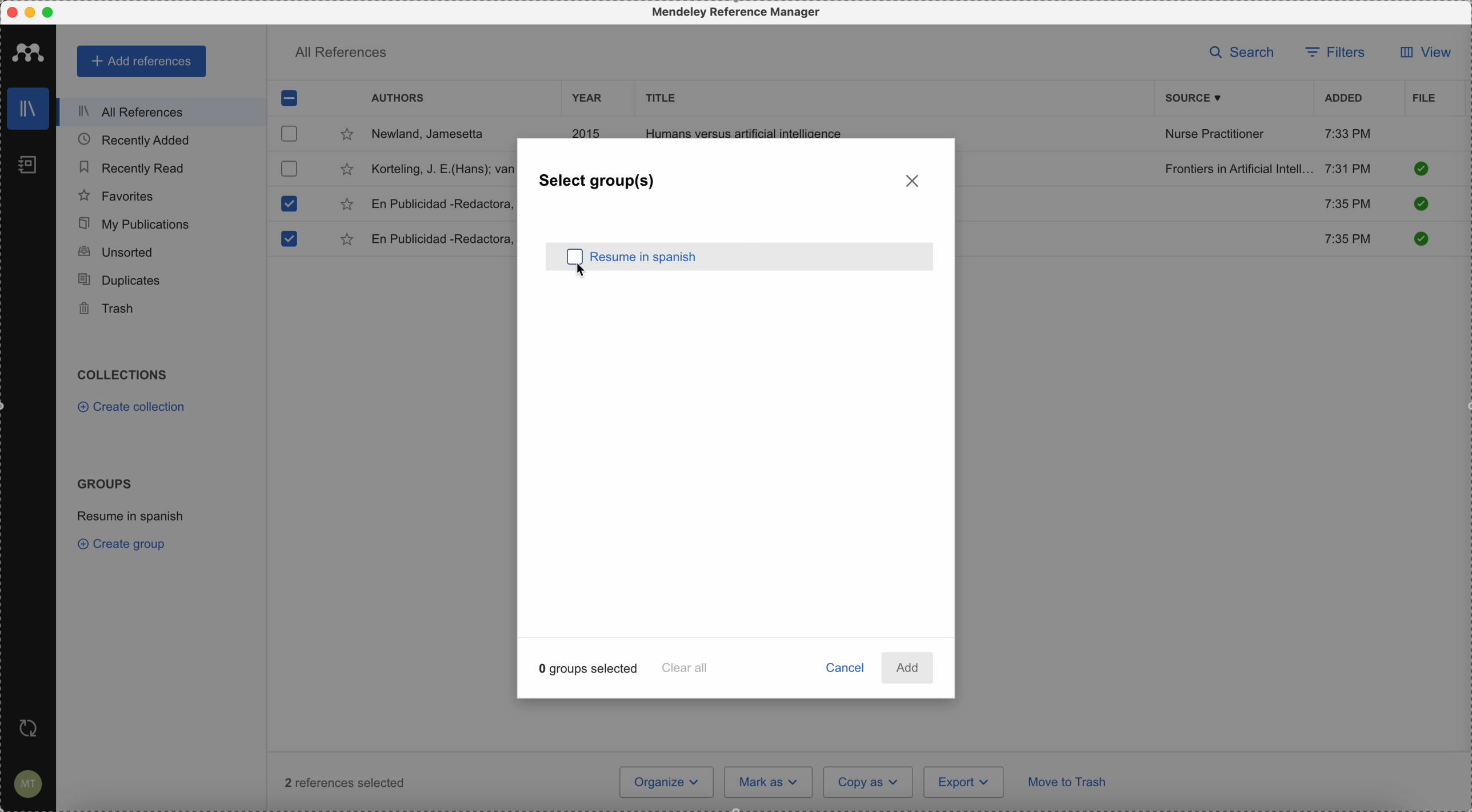 The height and width of the screenshot is (812, 1472). Describe the element at coordinates (349, 241) in the screenshot. I see `favorite` at that location.